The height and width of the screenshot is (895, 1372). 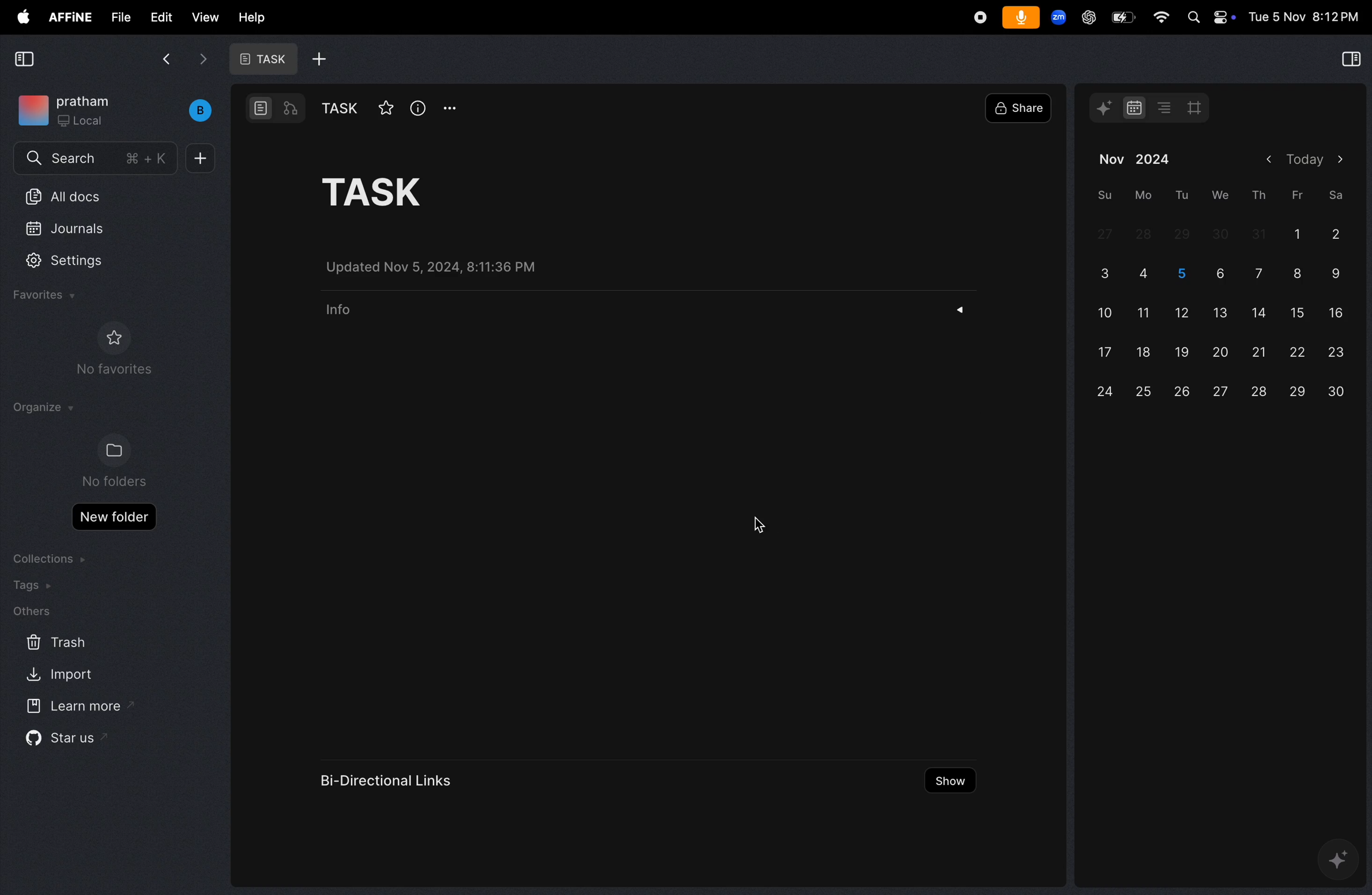 I want to click on days, so click(x=1224, y=309).